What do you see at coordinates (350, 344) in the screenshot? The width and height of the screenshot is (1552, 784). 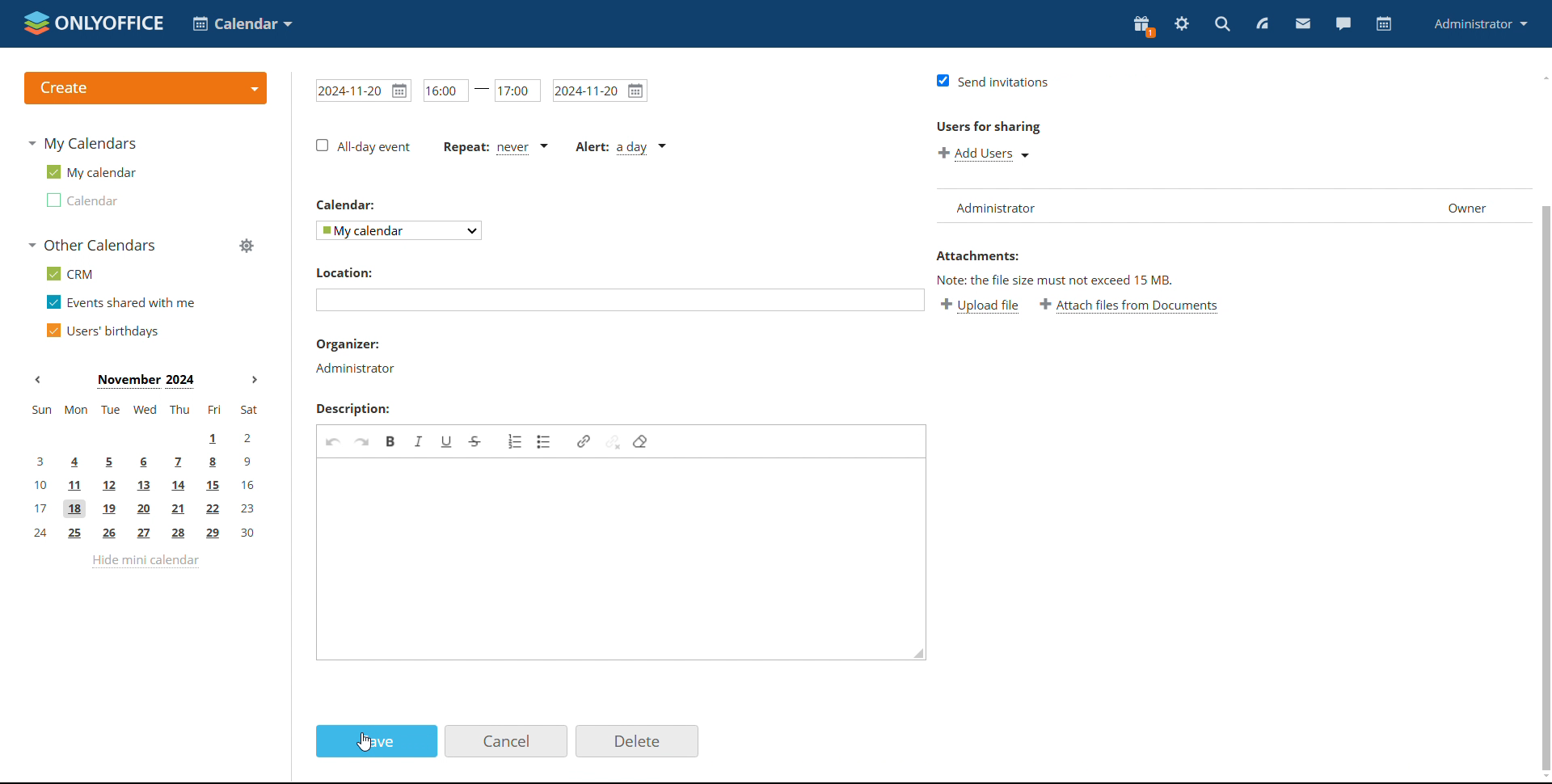 I see `organiser` at bounding box center [350, 344].